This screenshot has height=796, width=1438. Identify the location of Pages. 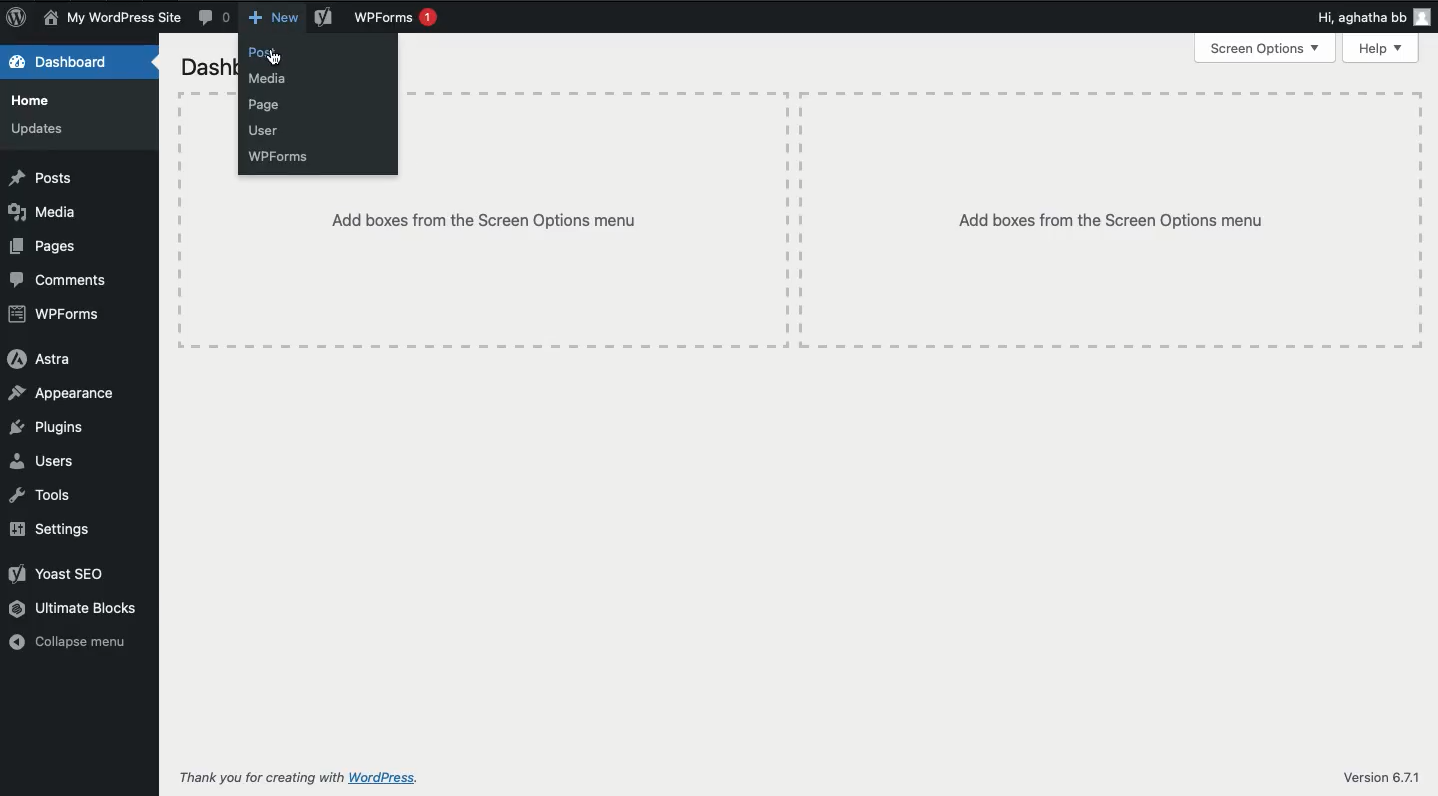
(45, 246).